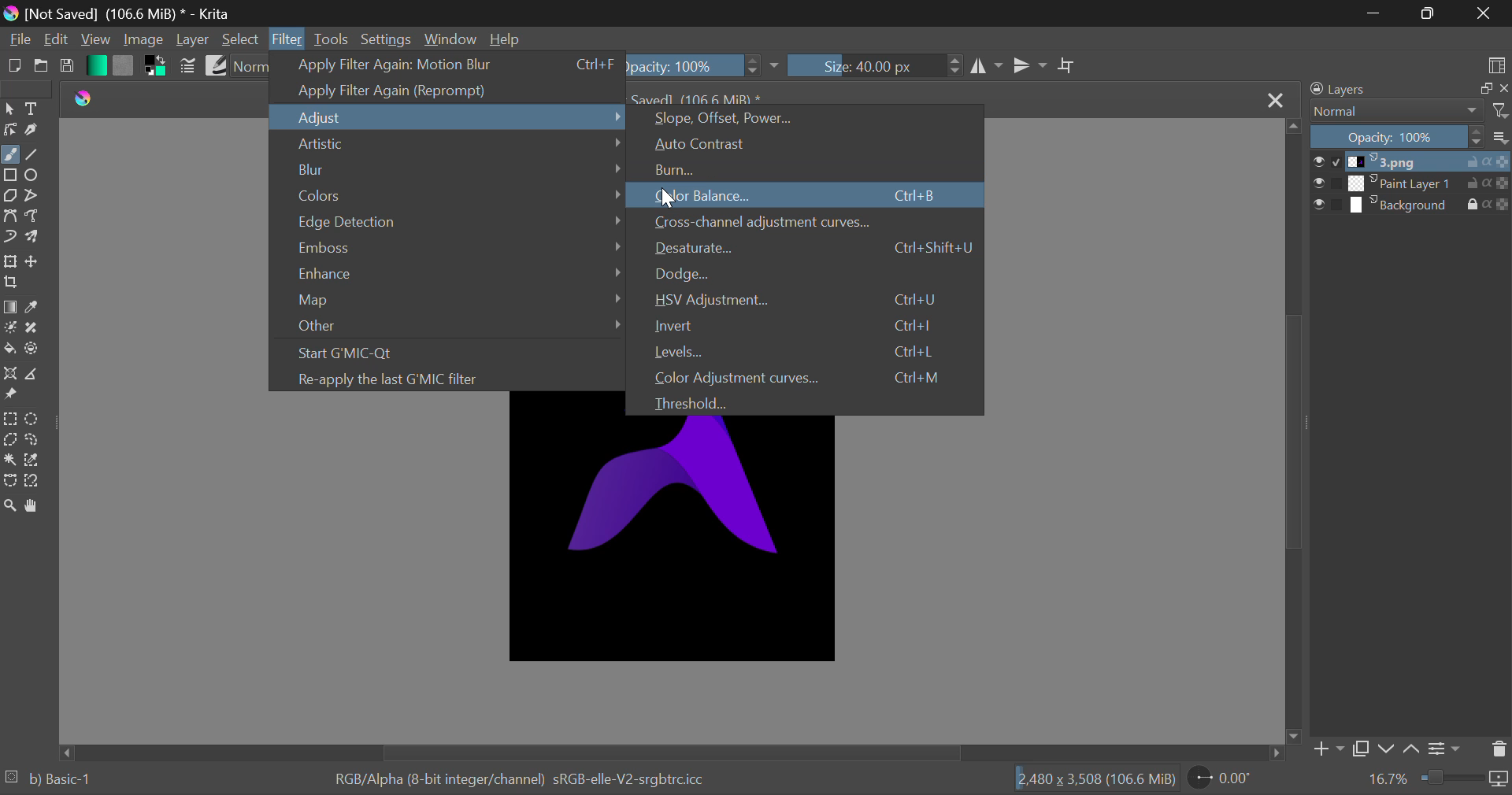 This screenshot has height=795, width=1512. I want to click on options, so click(1502, 137).